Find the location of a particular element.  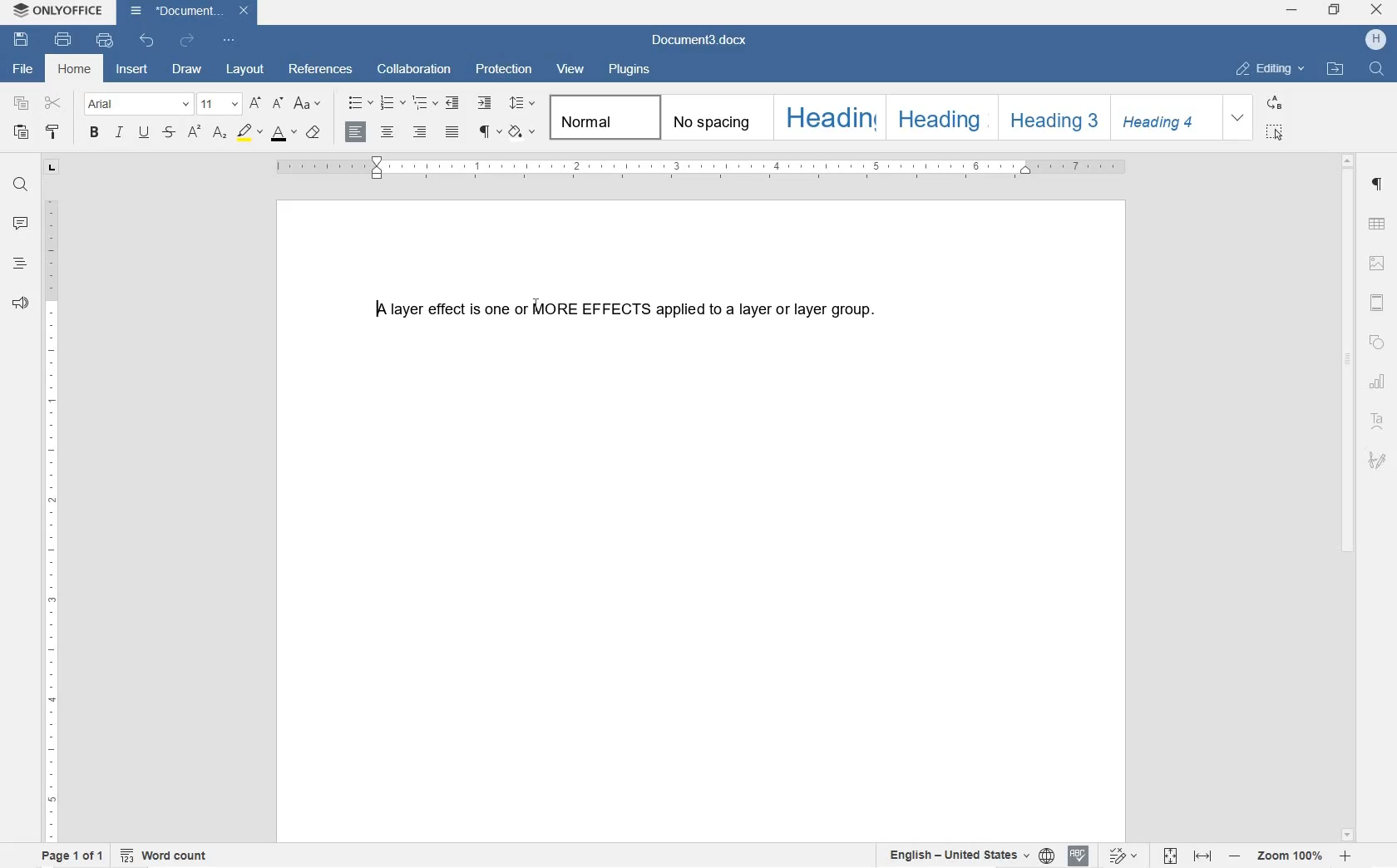

ALIGN RIGHT is located at coordinates (418, 133).